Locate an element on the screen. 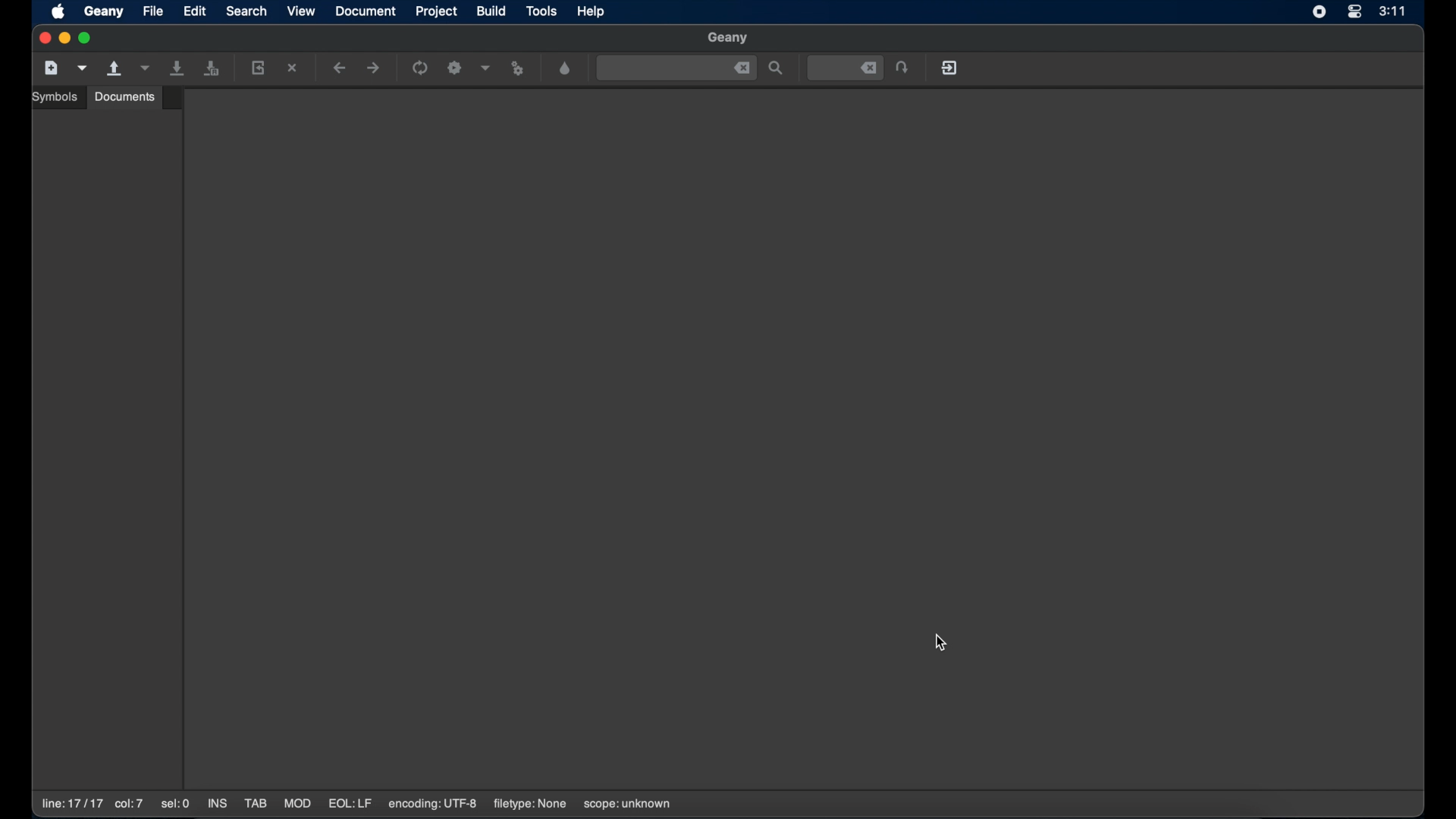 The image size is (1456, 819). maximize is located at coordinates (87, 38).